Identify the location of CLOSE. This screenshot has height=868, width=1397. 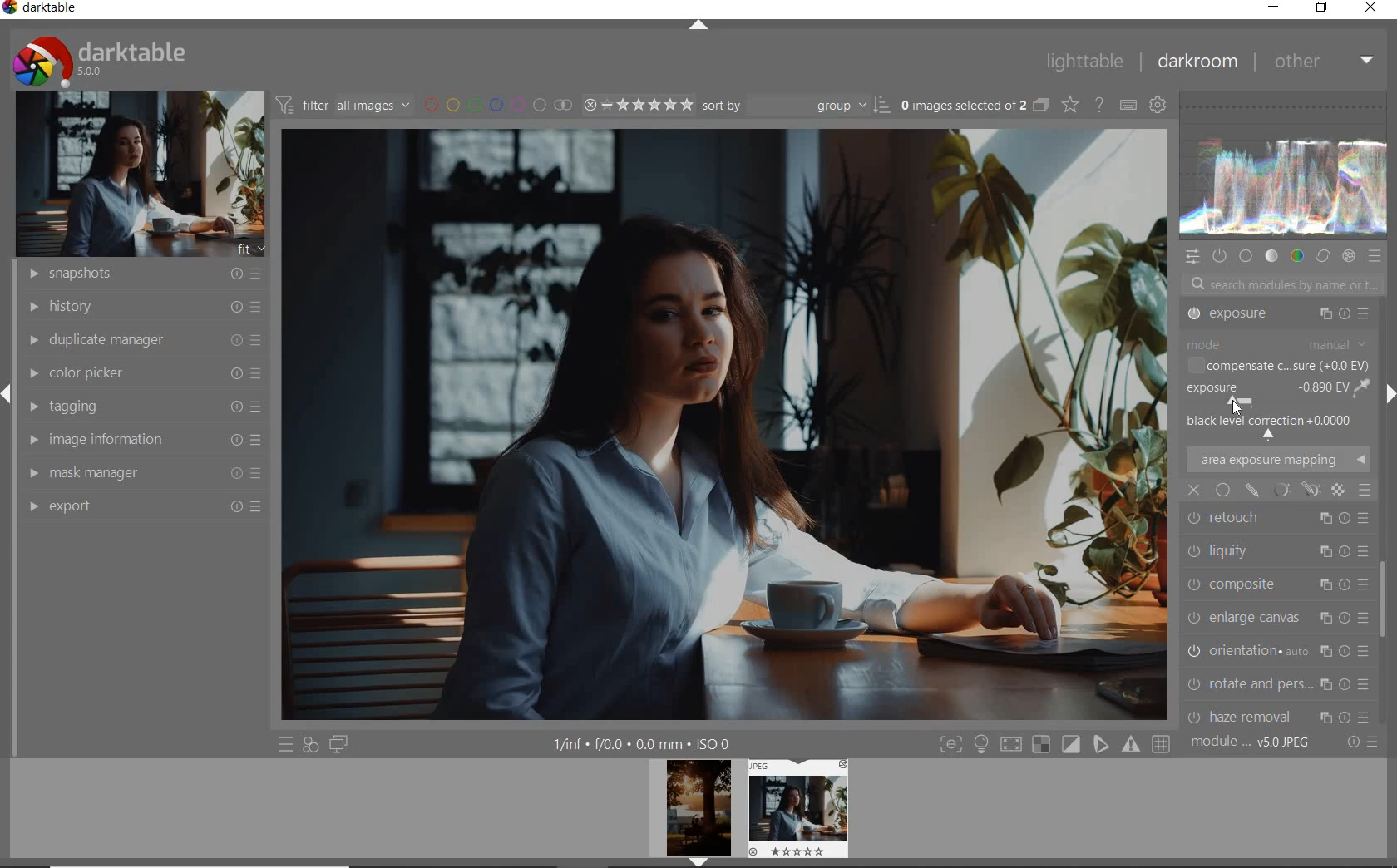
(1370, 8).